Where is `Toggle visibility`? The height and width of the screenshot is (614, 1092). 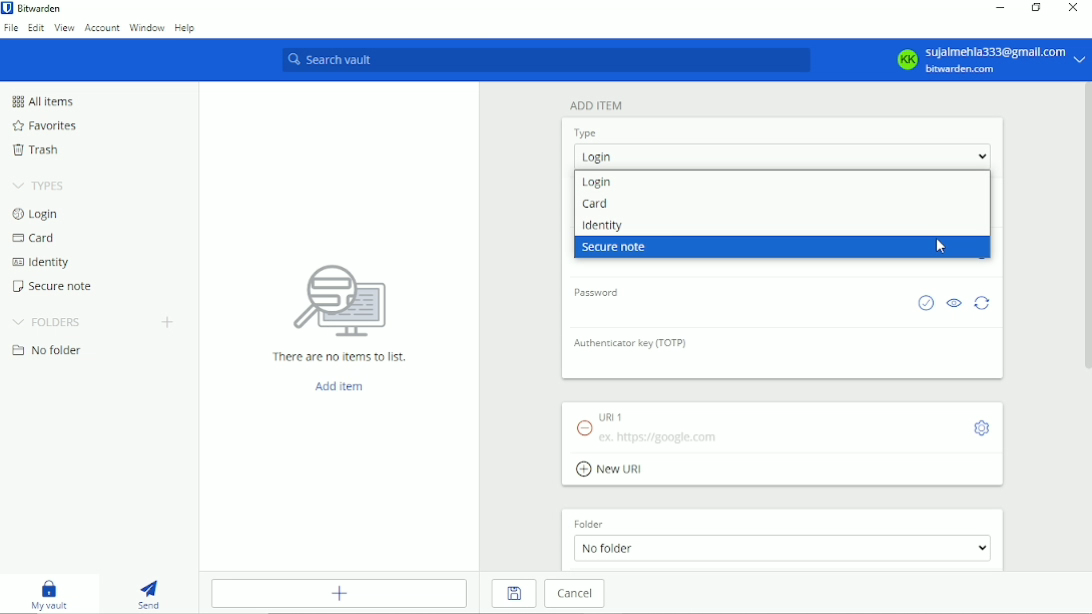 Toggle visibility is located at coordinates (954, 303).